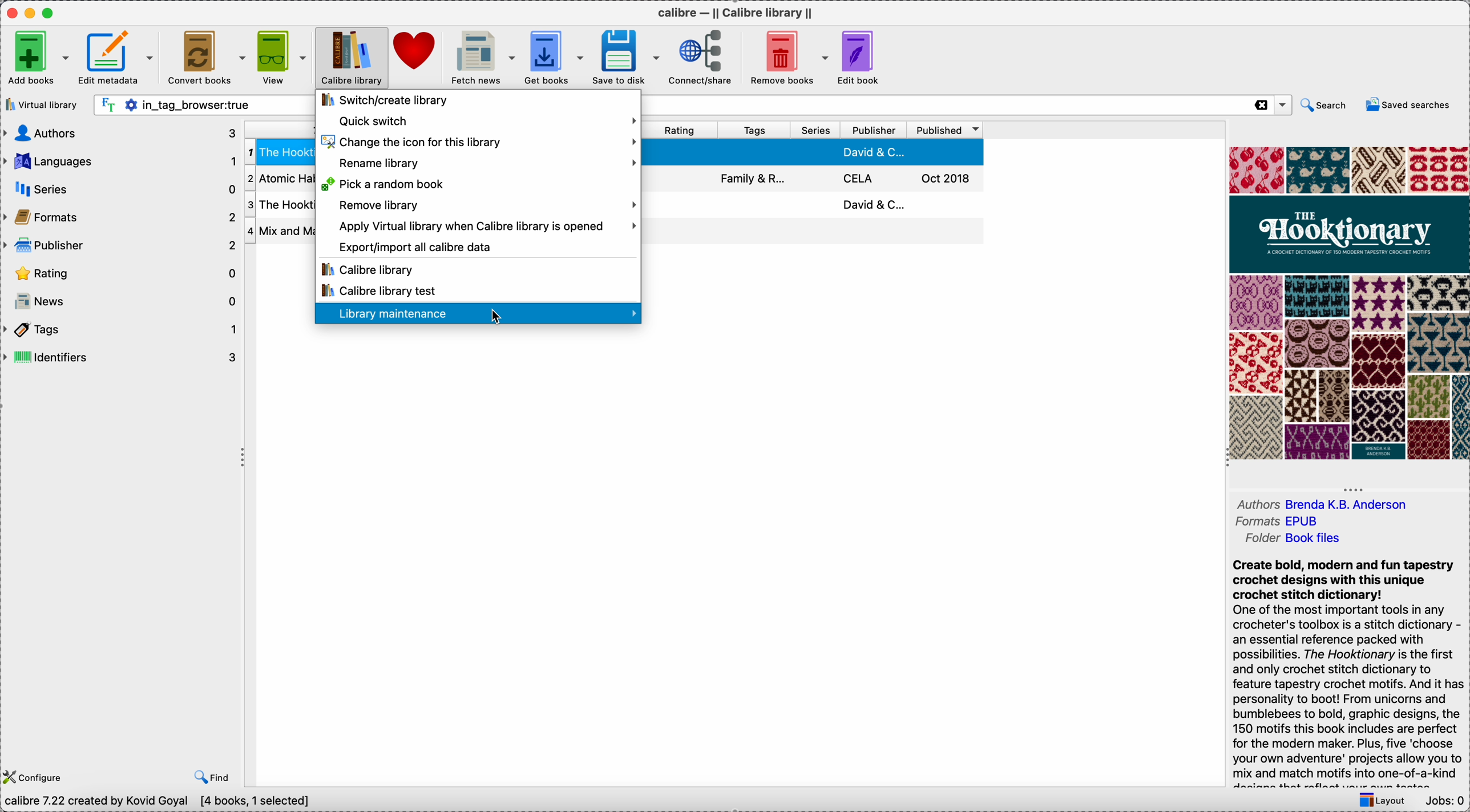  Describe the element at coordinates (497, 317) in the screenshot. I see `cursor` at that location.